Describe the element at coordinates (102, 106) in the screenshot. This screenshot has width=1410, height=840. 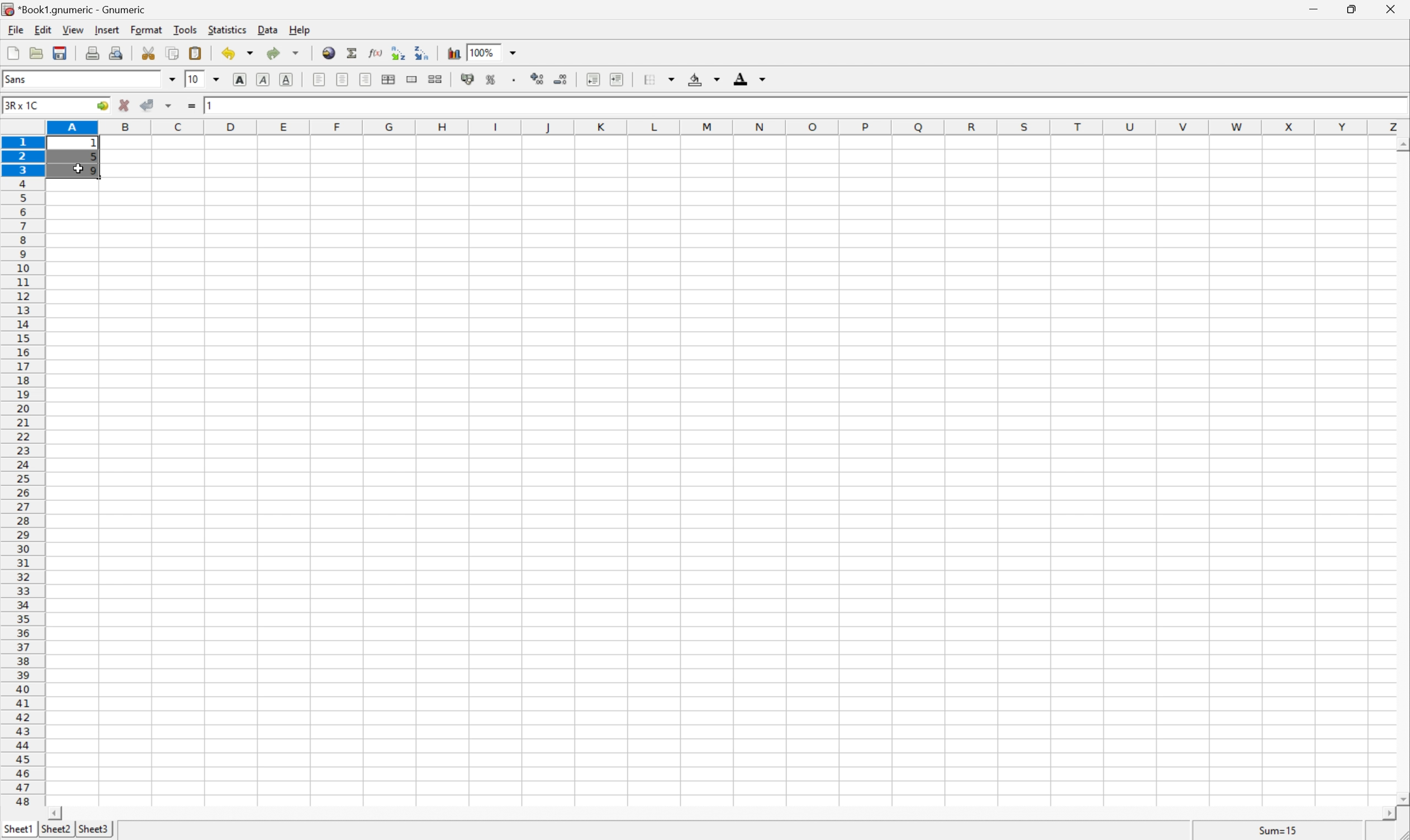
I see `go to` at that location.